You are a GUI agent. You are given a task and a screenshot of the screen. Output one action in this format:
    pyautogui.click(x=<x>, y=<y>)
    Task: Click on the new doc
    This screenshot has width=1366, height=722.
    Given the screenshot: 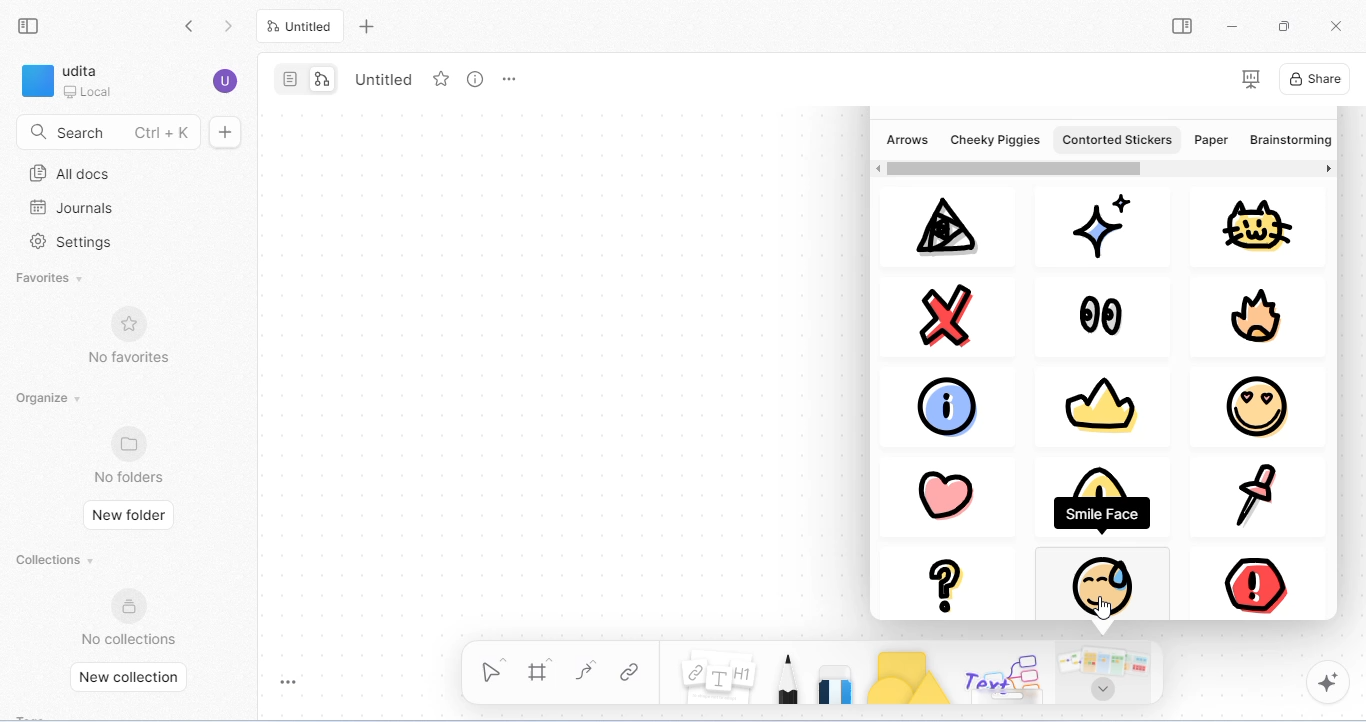 What is the action you would take?
    pyautogui.click(x=225, y=131)
    